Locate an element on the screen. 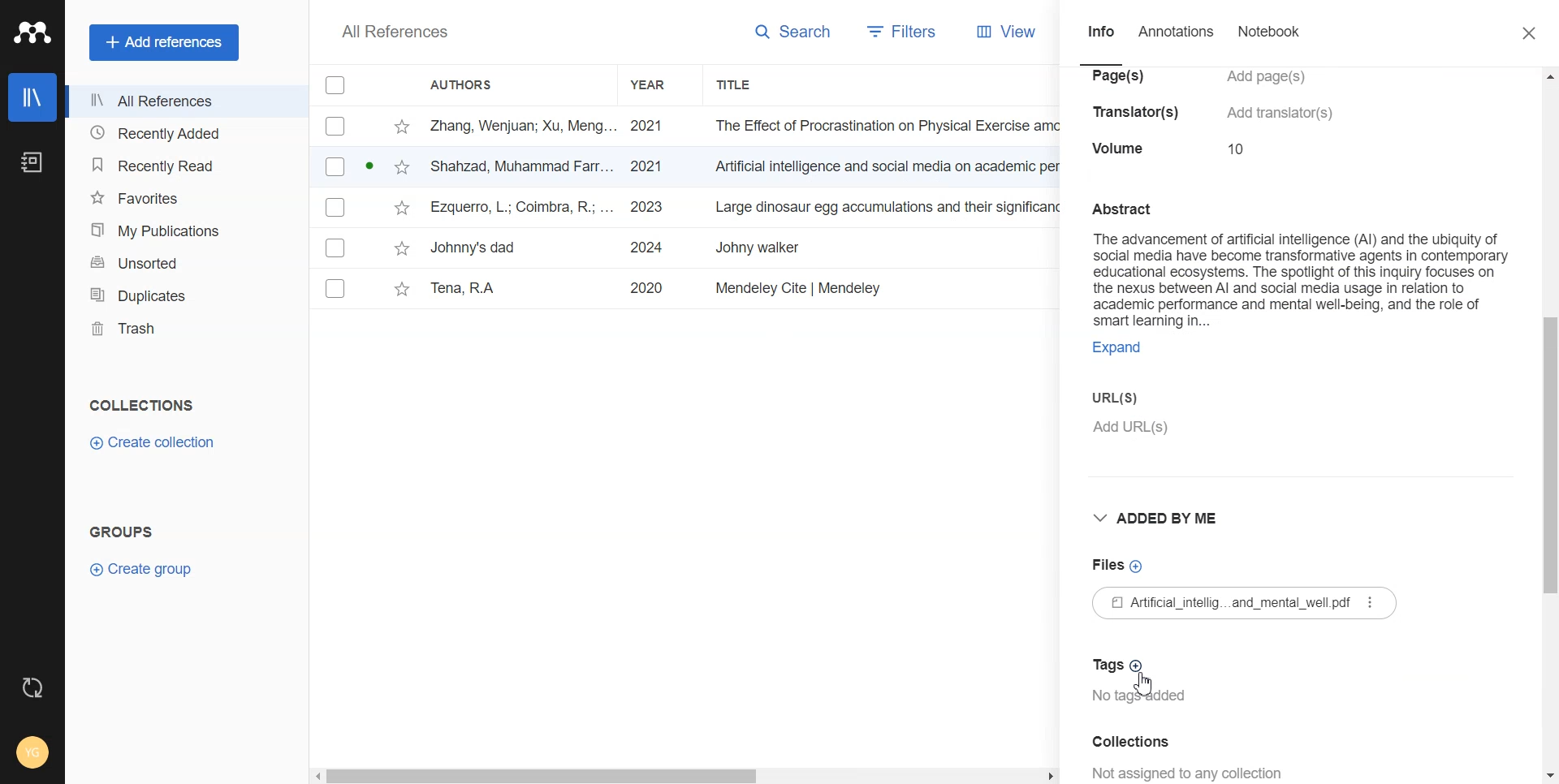 The image size is (1559, 784). Close is located at coordinates (1531, 32).